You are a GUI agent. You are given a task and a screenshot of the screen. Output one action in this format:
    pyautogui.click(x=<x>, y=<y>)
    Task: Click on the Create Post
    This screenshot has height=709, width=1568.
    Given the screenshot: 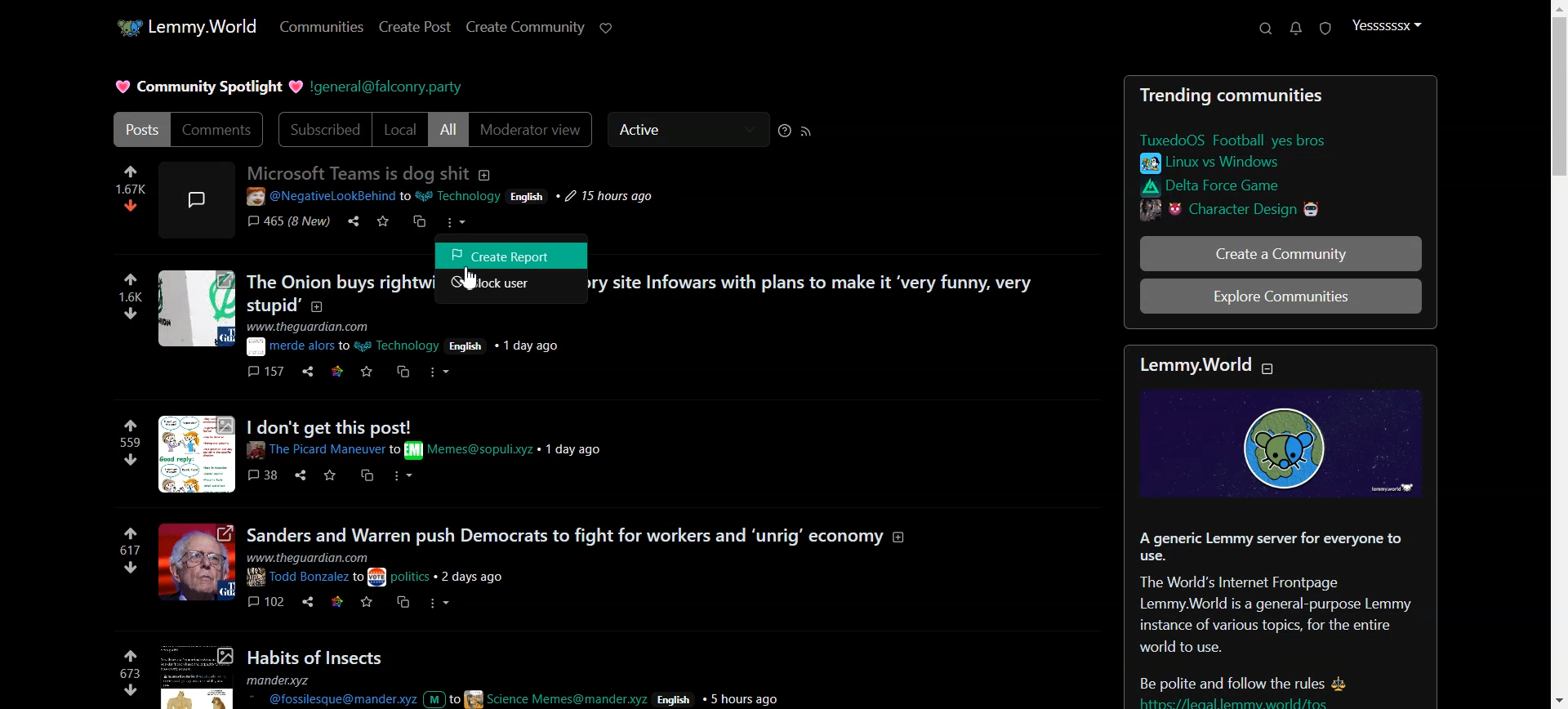 What is the action you would take?
    pyautogui.click(x=415, y=27)
    